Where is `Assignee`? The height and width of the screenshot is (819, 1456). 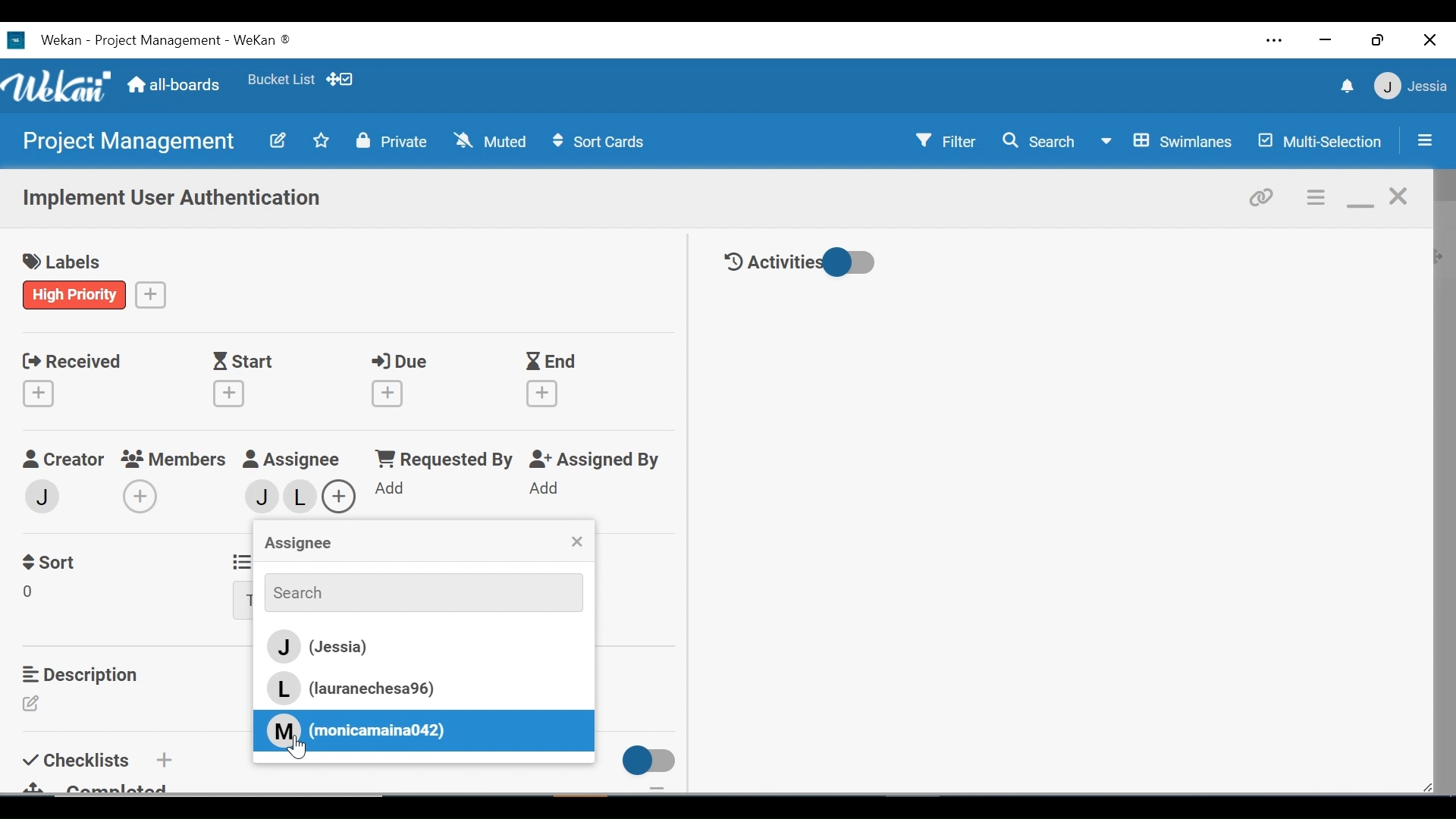 Assignee is located at coordinates (297, 544).